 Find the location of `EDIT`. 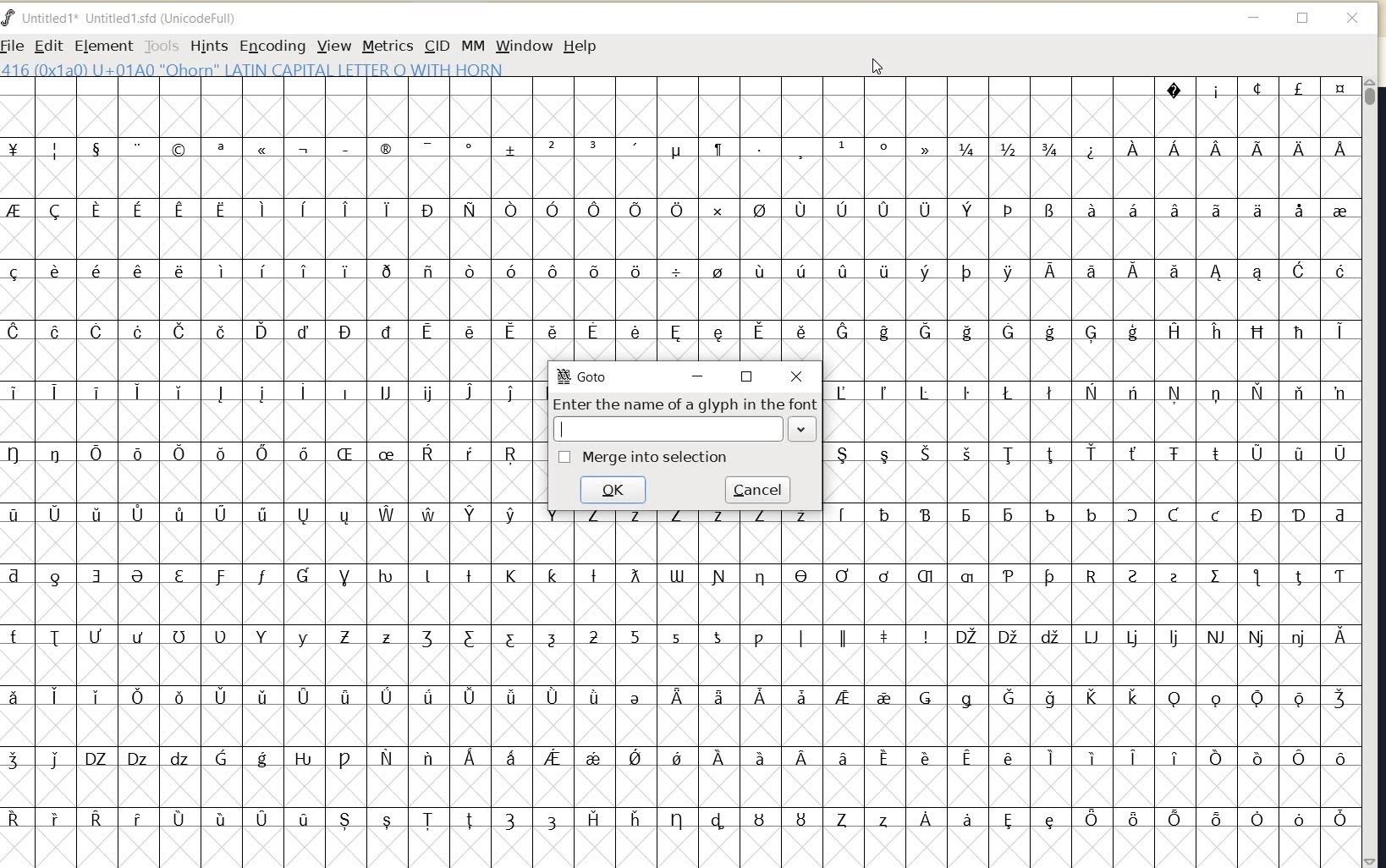

EDIT is located at coordinates (46, 45).